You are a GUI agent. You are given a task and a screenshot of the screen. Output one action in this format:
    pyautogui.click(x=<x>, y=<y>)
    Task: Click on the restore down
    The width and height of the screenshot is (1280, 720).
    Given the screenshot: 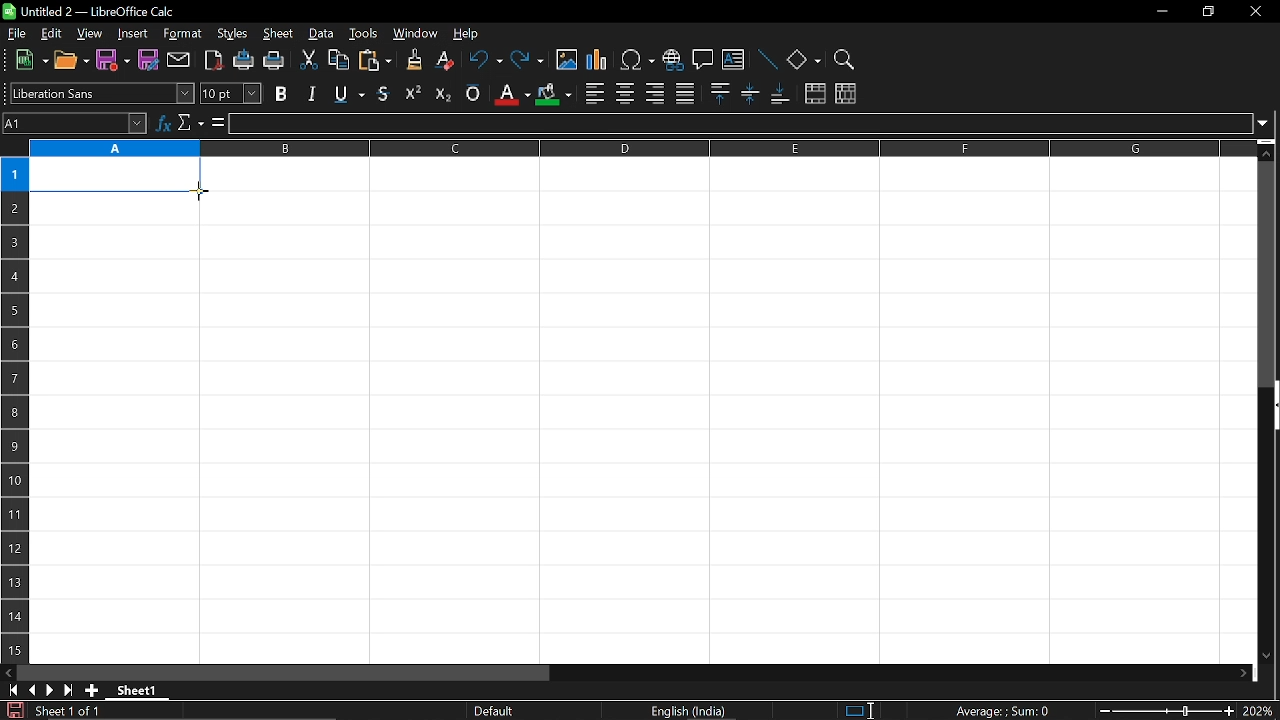 What is the action you would take?
    pyautogui.click(x=1207, y=10)
    